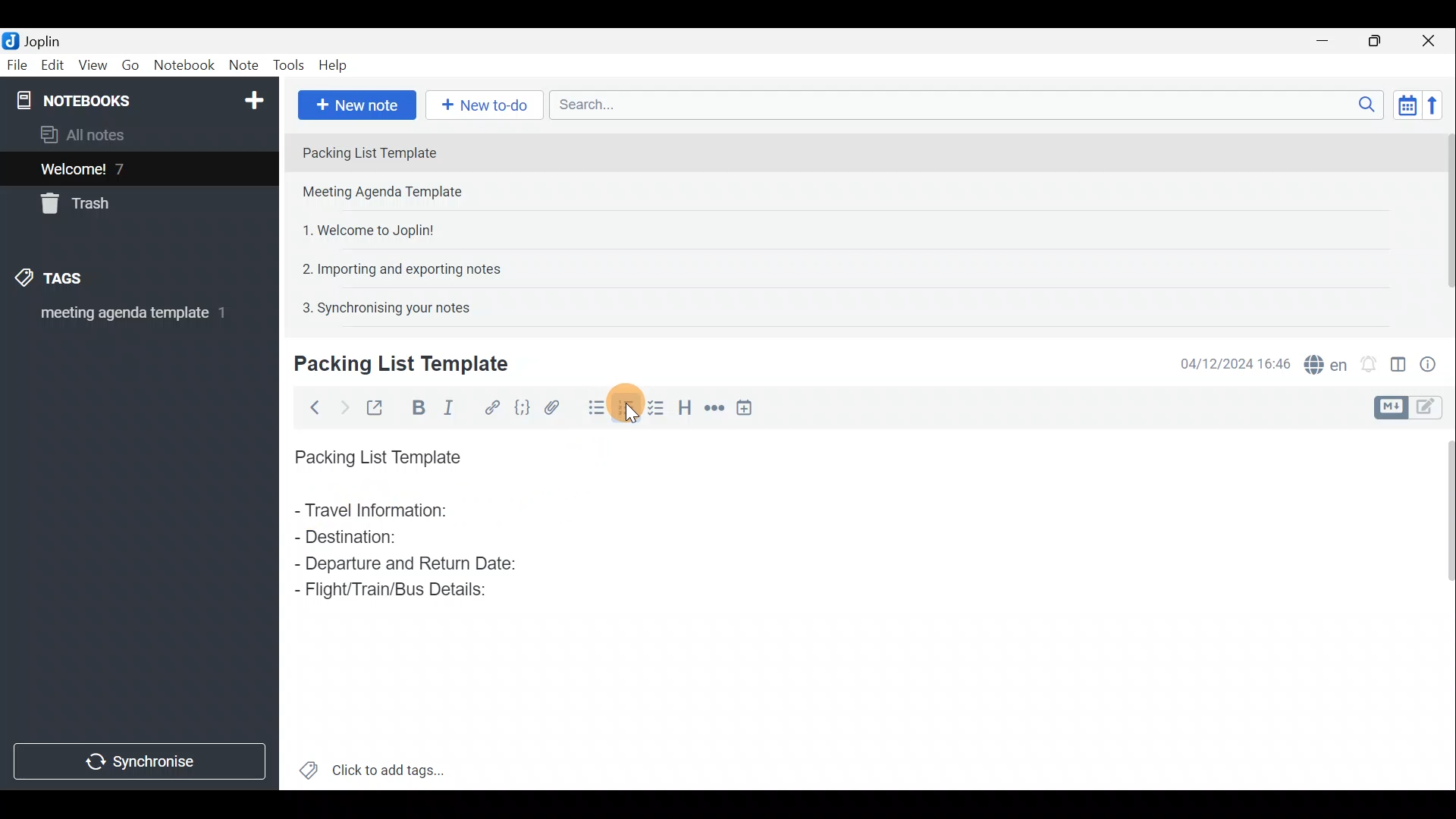 This screenshot has width=1456, height=819. I want to click on Note properties, so click(1433, 362).